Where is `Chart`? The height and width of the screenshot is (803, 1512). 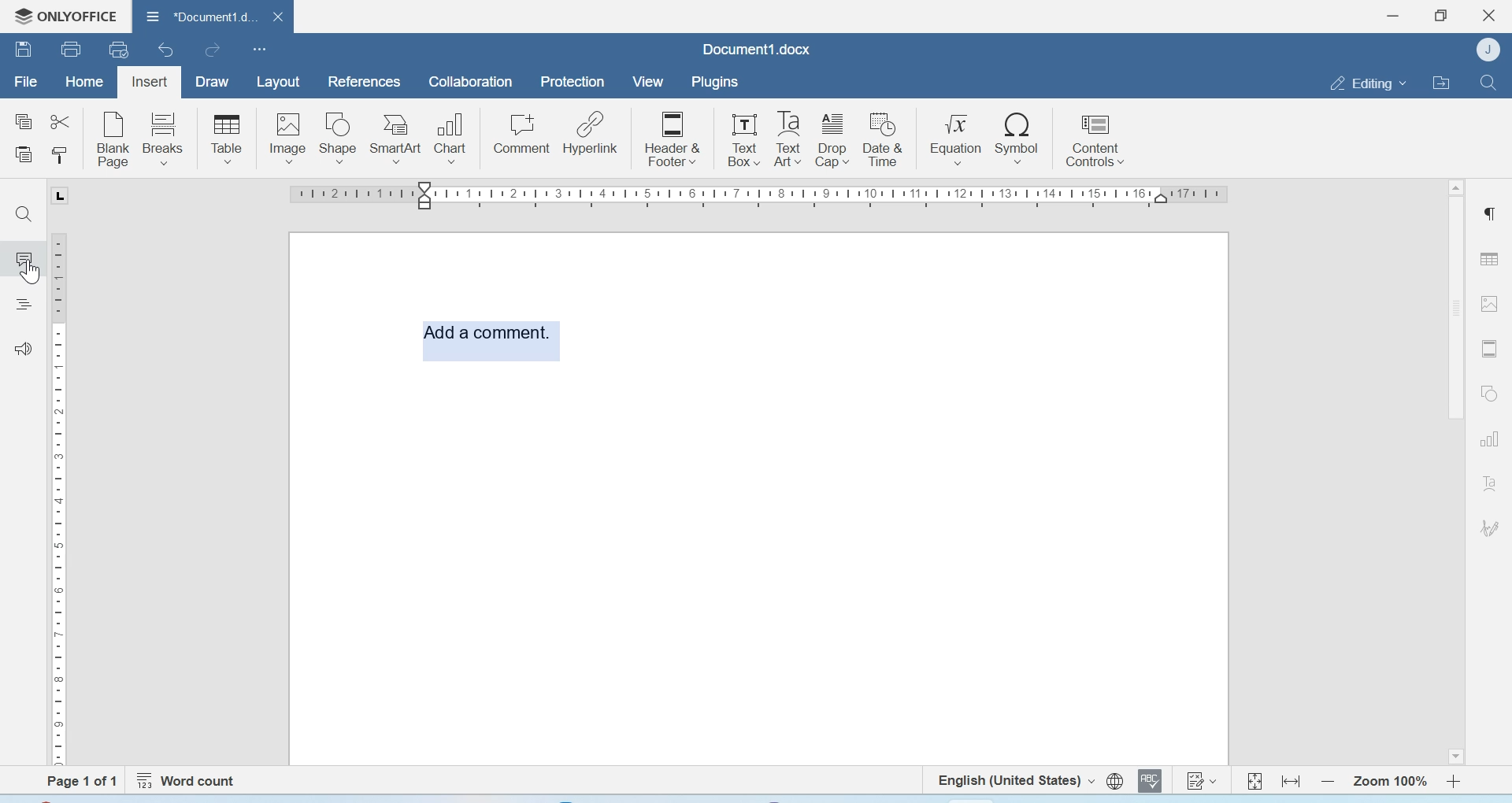 Chart is located at coordinates (452, 136).